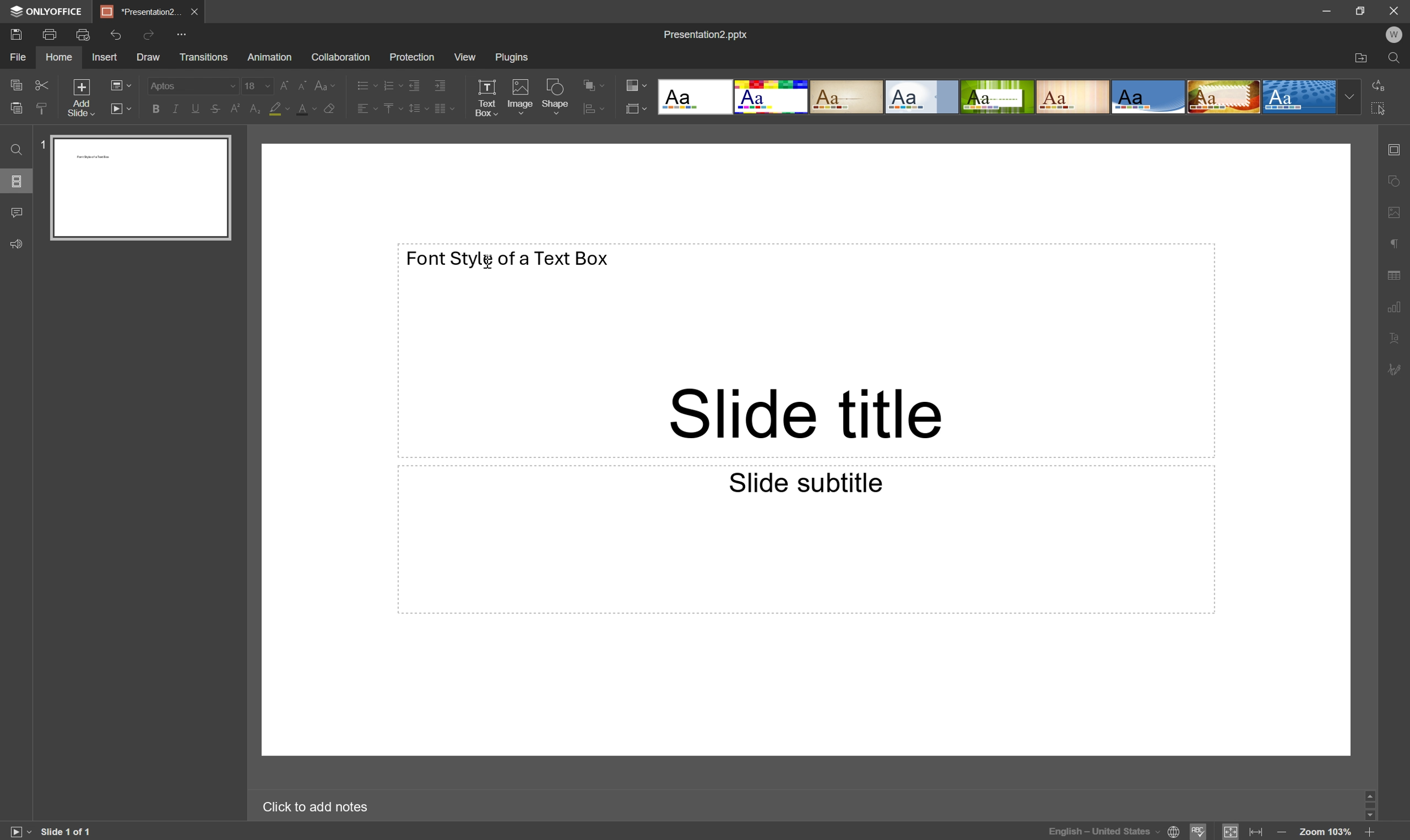 Image resolution: width=1410 pixels, height=840 pixels. Describe the element at coordinates (59, 57) in the screenshot. I see `Home` at that location.